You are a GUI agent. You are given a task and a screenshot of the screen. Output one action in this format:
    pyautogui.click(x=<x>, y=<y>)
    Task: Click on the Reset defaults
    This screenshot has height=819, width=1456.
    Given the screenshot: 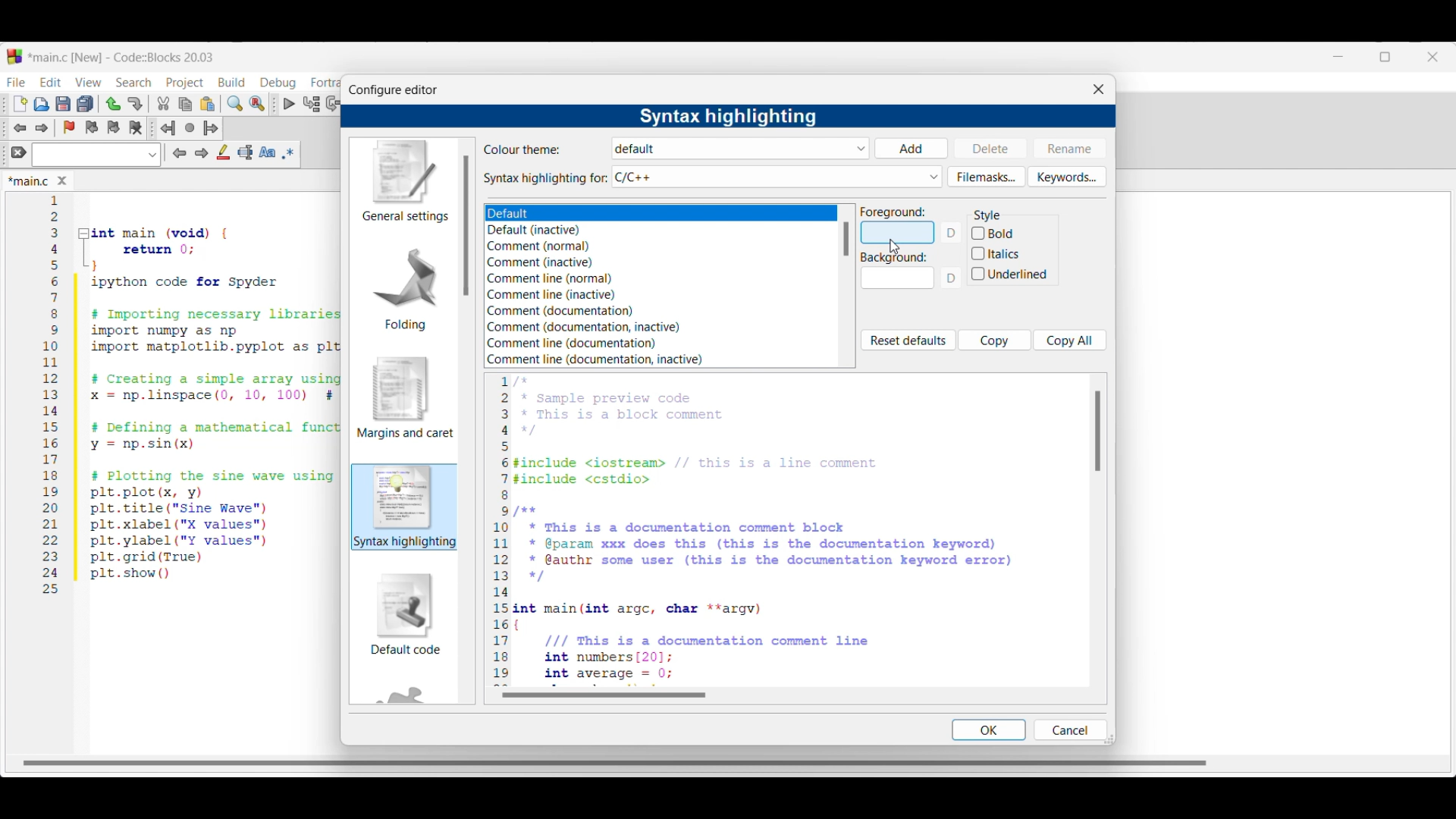 What is the action you would take?
    pyautogui.click(x=908, y=340)
    